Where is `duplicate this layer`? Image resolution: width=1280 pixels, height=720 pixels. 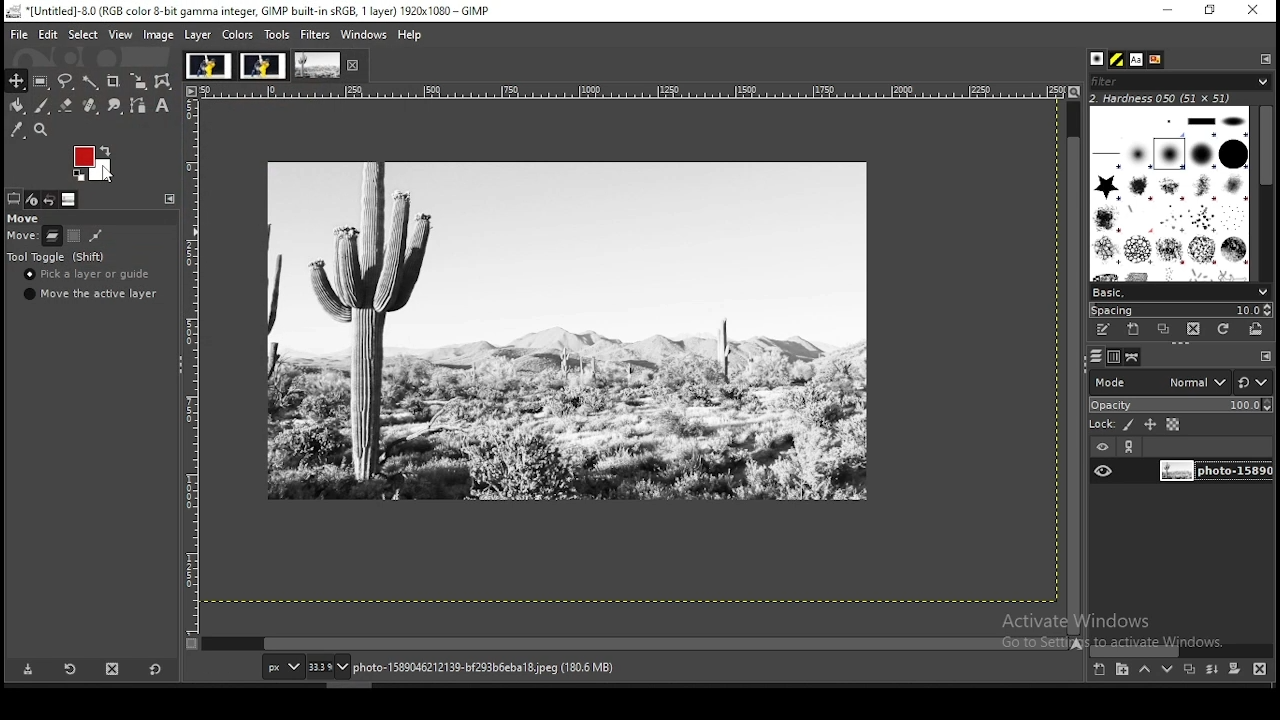
duplicate this layer is located at coordinates (1188, 669).